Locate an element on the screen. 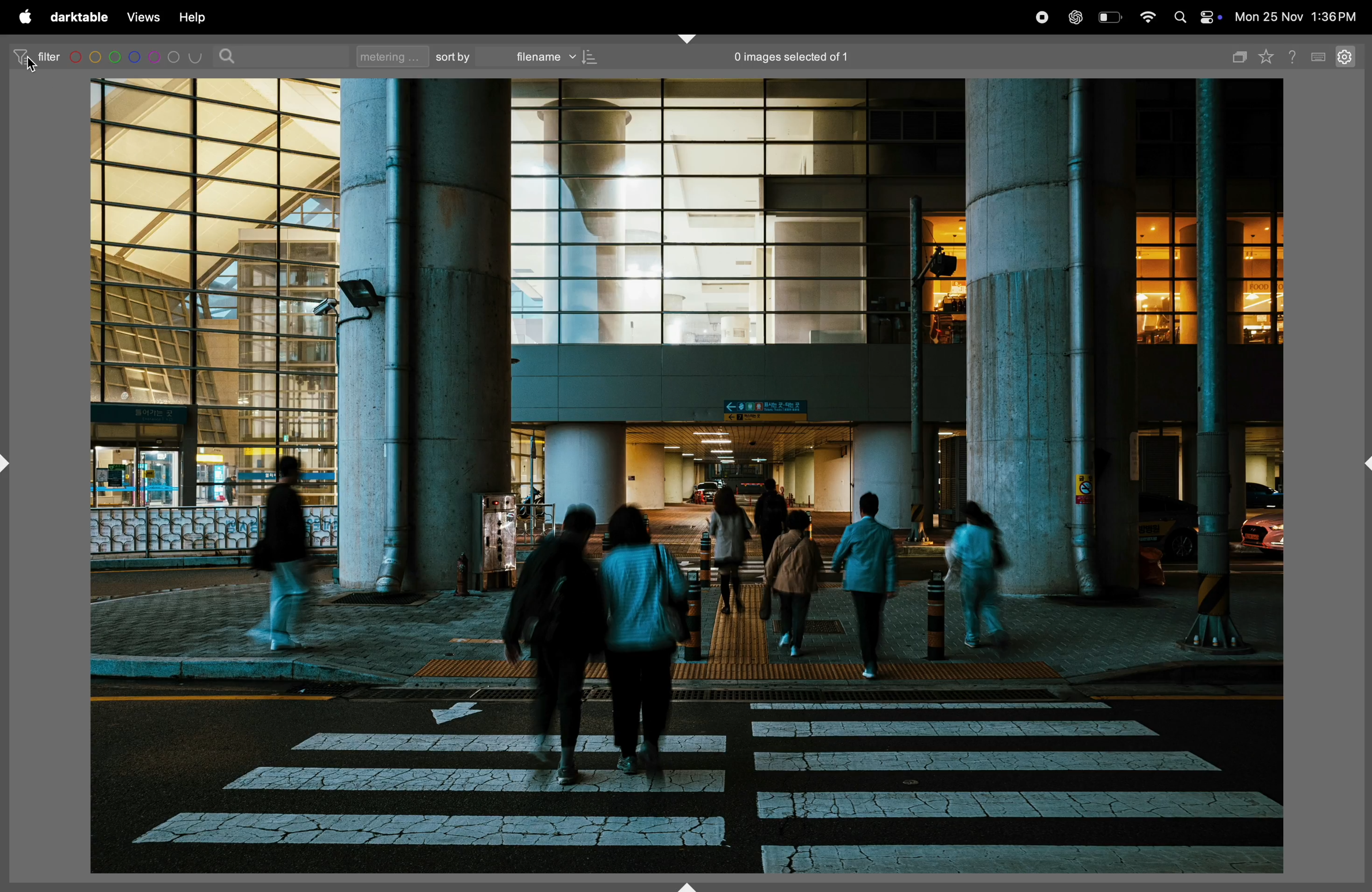 The image size is (1372, 892). image is located at coordinates (688, 478).